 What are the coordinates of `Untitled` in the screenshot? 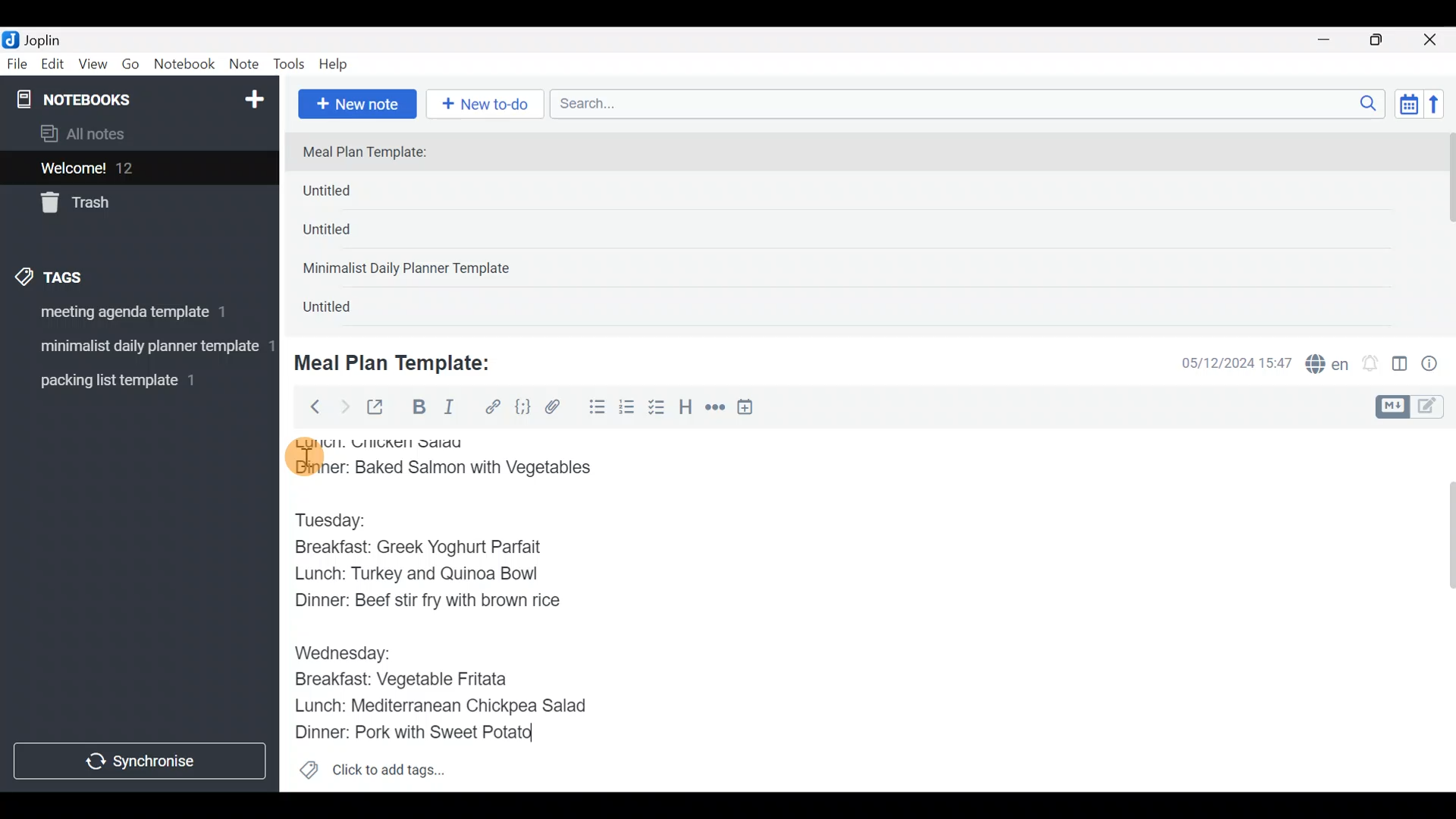 It's located at (352, 194).